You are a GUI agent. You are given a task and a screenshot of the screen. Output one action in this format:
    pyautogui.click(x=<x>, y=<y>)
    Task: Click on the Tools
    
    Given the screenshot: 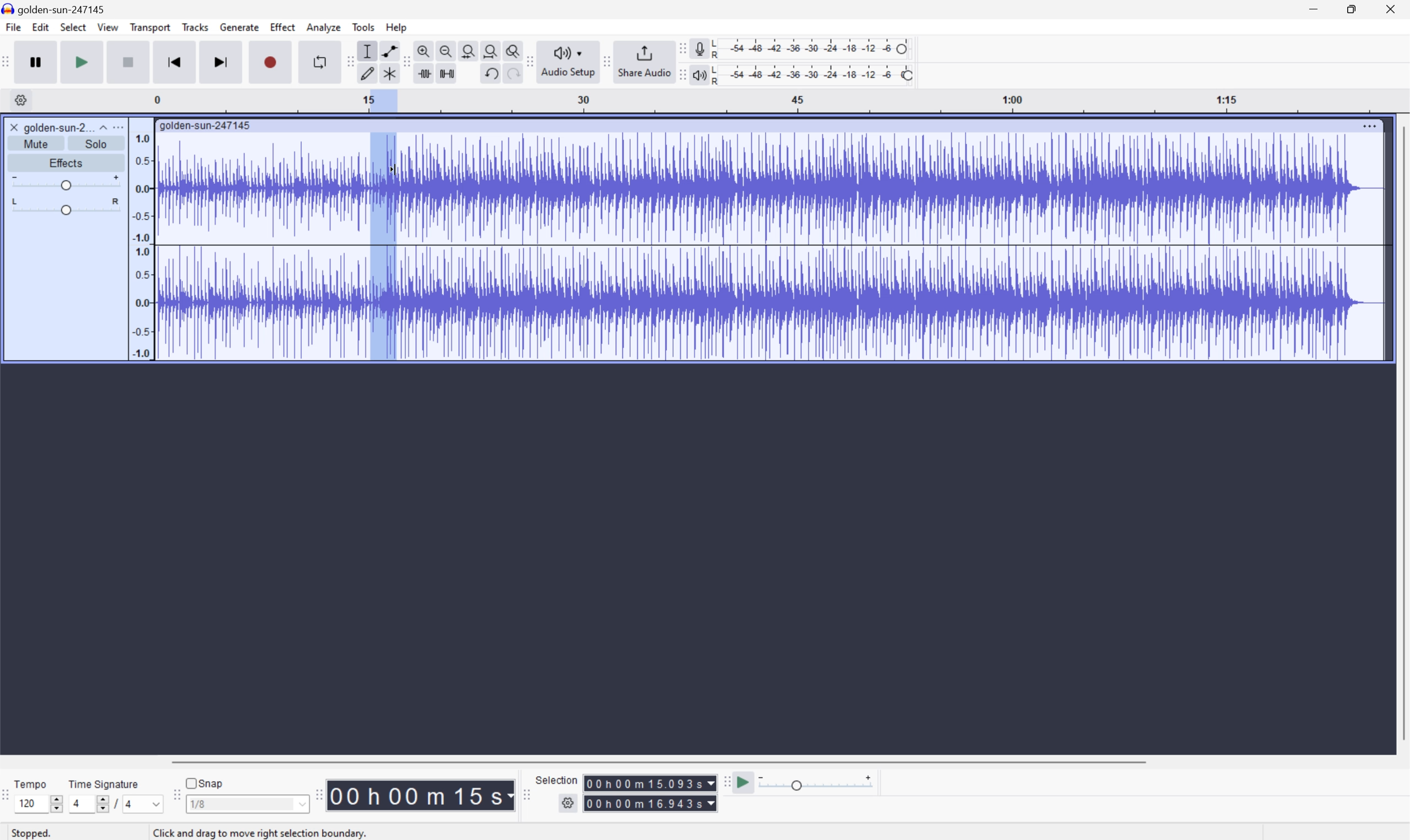 What is the action you would take?
    pyautogui.click(x=364, y=27)
    